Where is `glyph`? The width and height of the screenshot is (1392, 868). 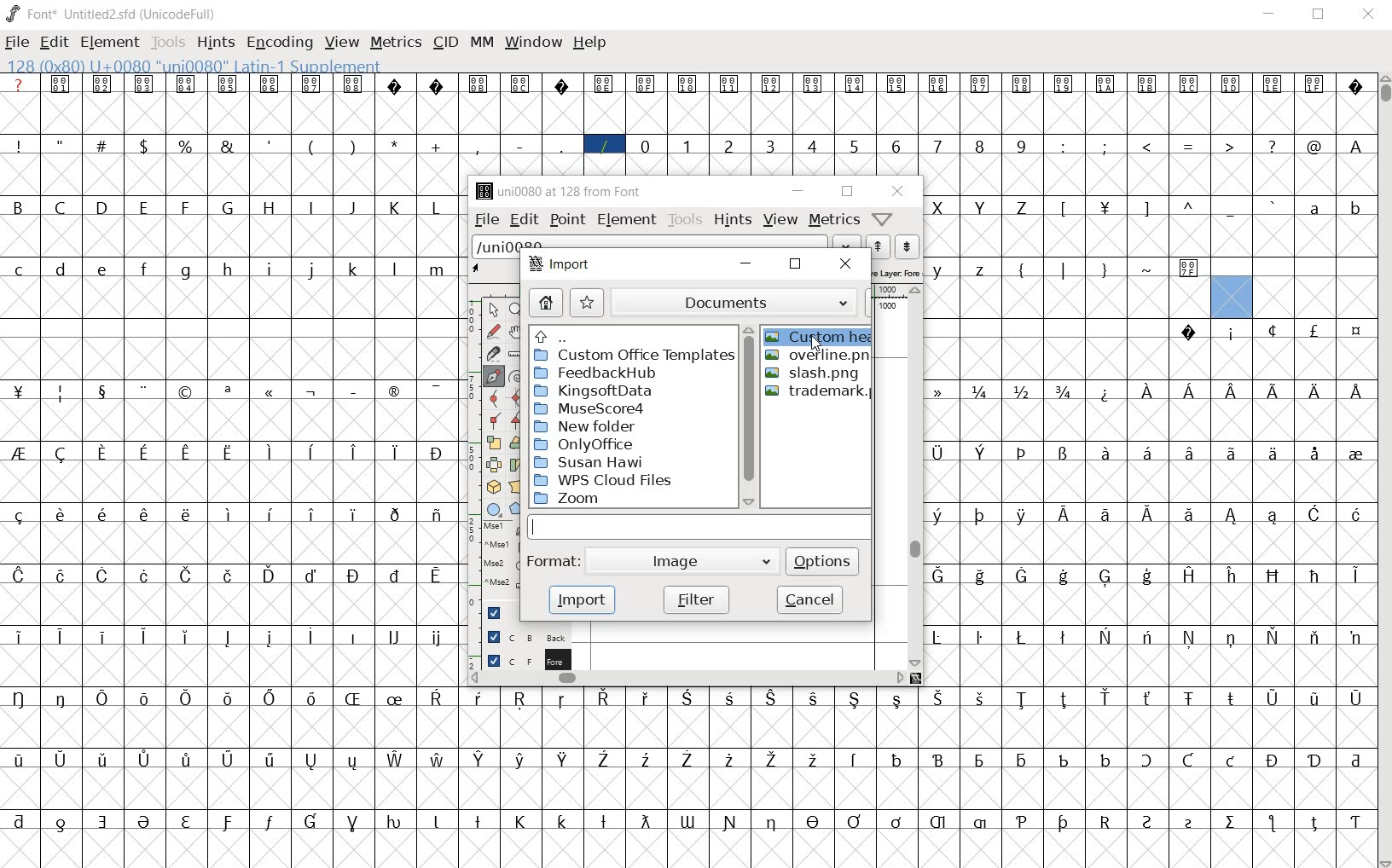
glyph is located at coordinates (1147, 452).